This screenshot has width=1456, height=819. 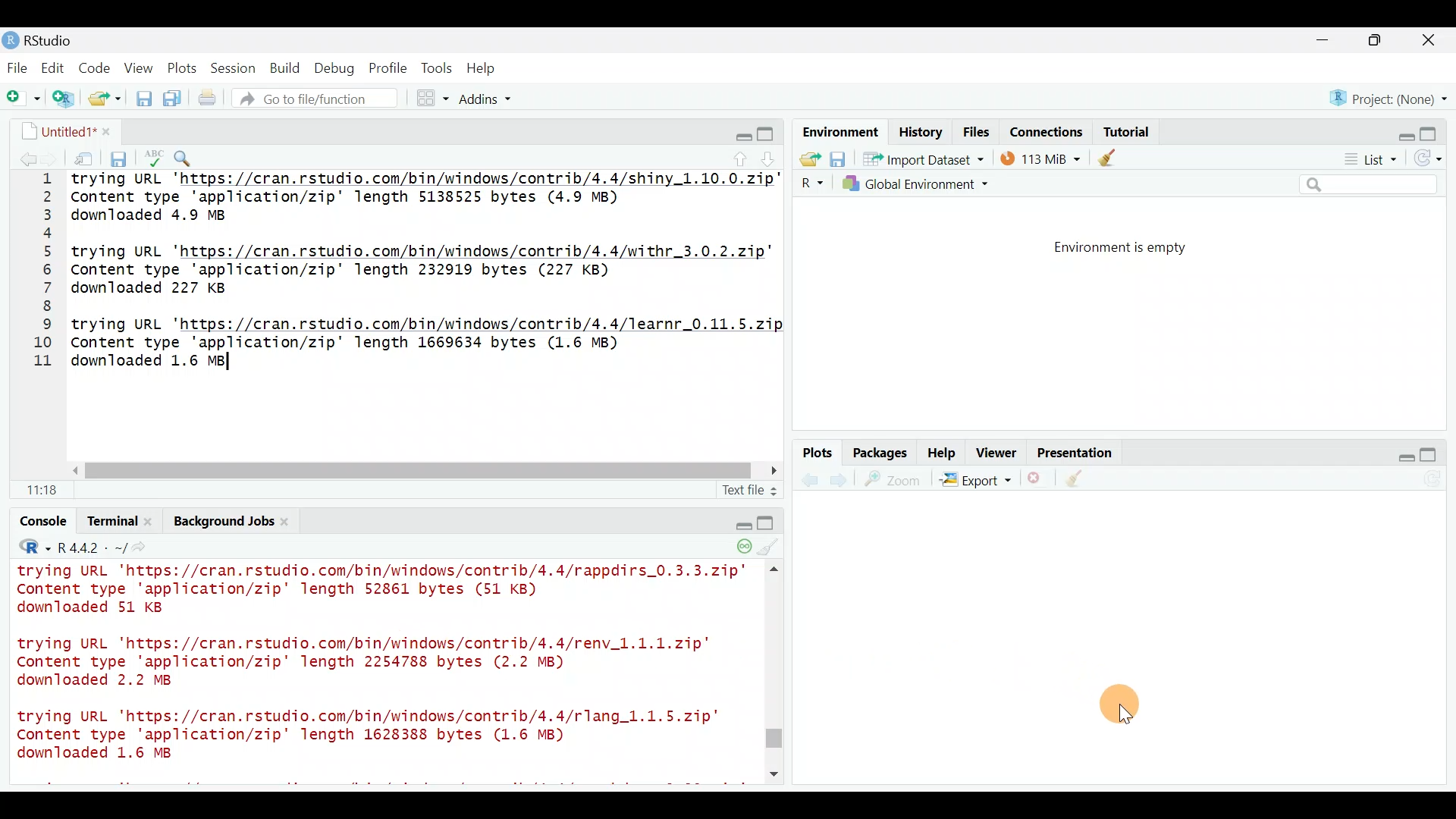 What do you see at coordinates (290, 521) in the screenshot?
I see `close background jobs` at bounding box center [290, 521].